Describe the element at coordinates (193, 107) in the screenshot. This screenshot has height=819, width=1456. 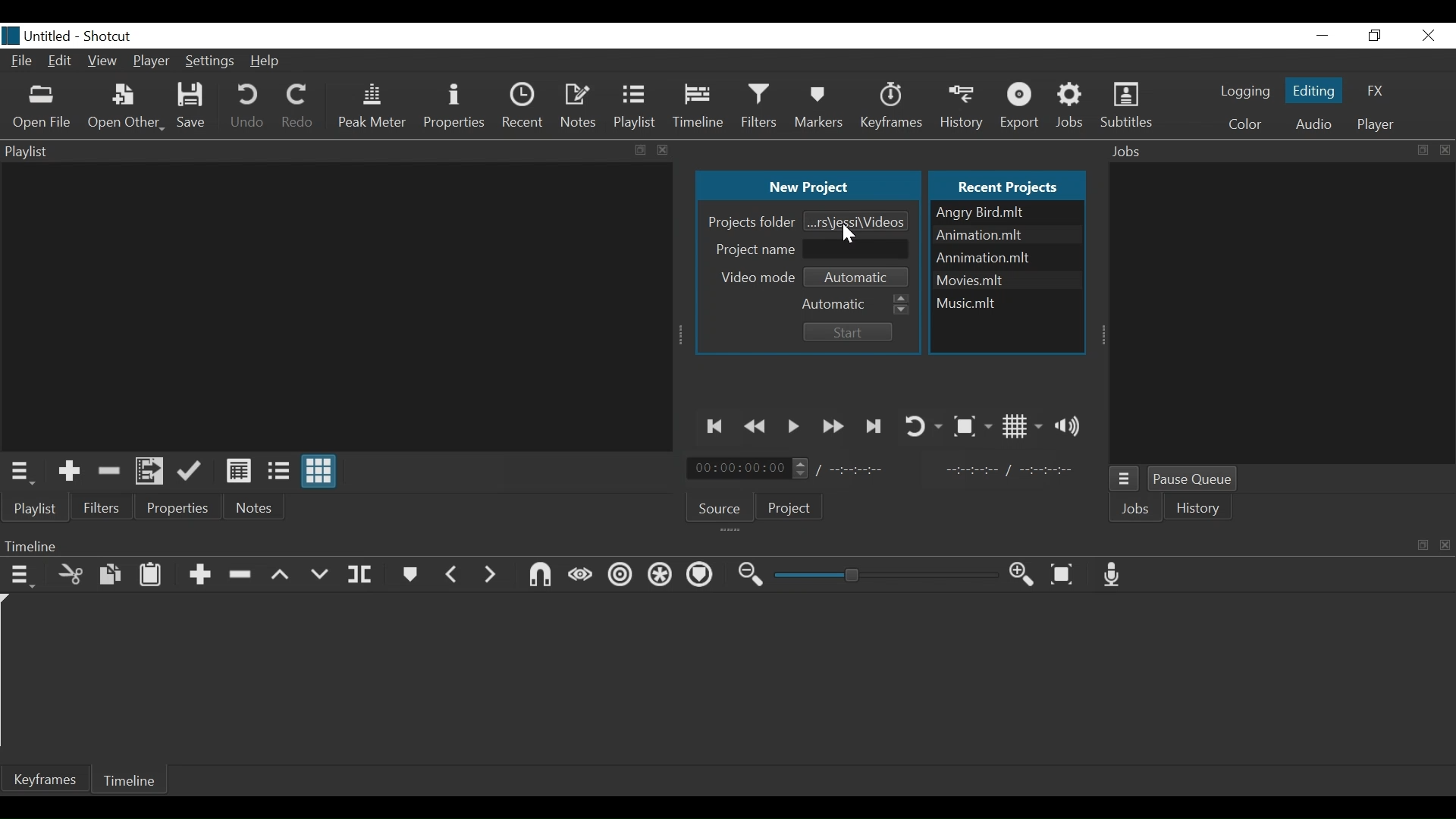
I see `Save` at that location.